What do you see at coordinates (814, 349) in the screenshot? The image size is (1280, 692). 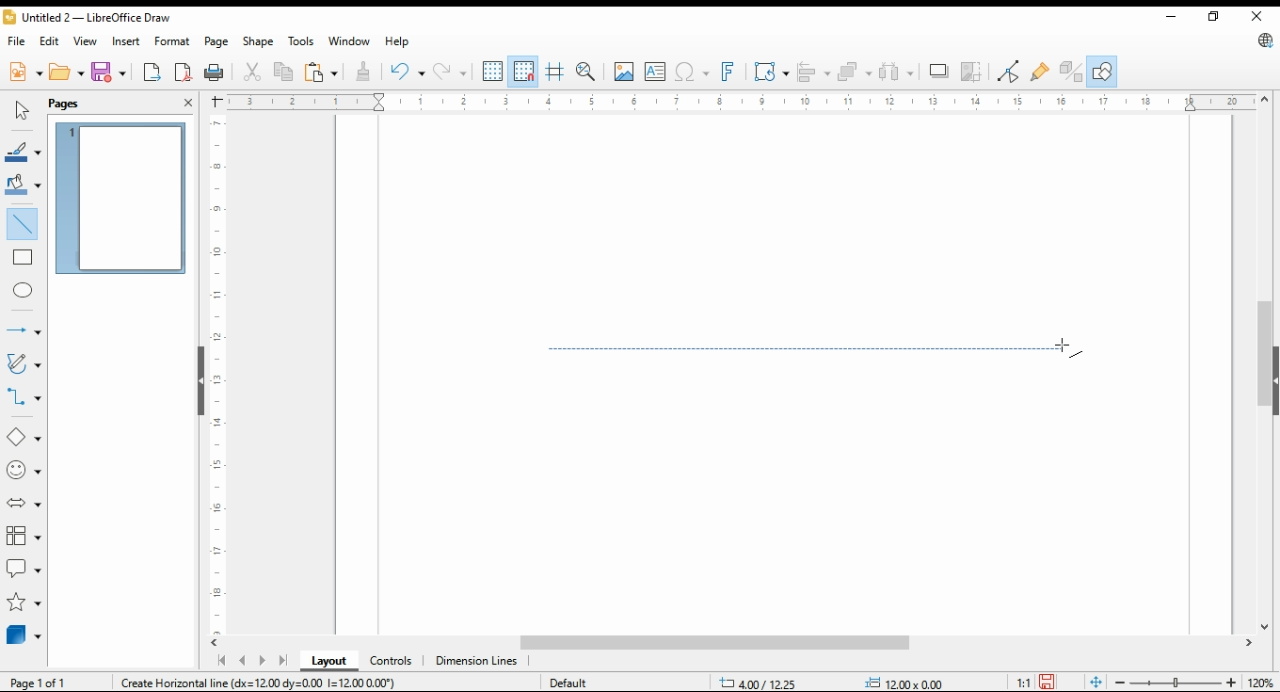 I see `dashed line` at bounding box center [814, 349].